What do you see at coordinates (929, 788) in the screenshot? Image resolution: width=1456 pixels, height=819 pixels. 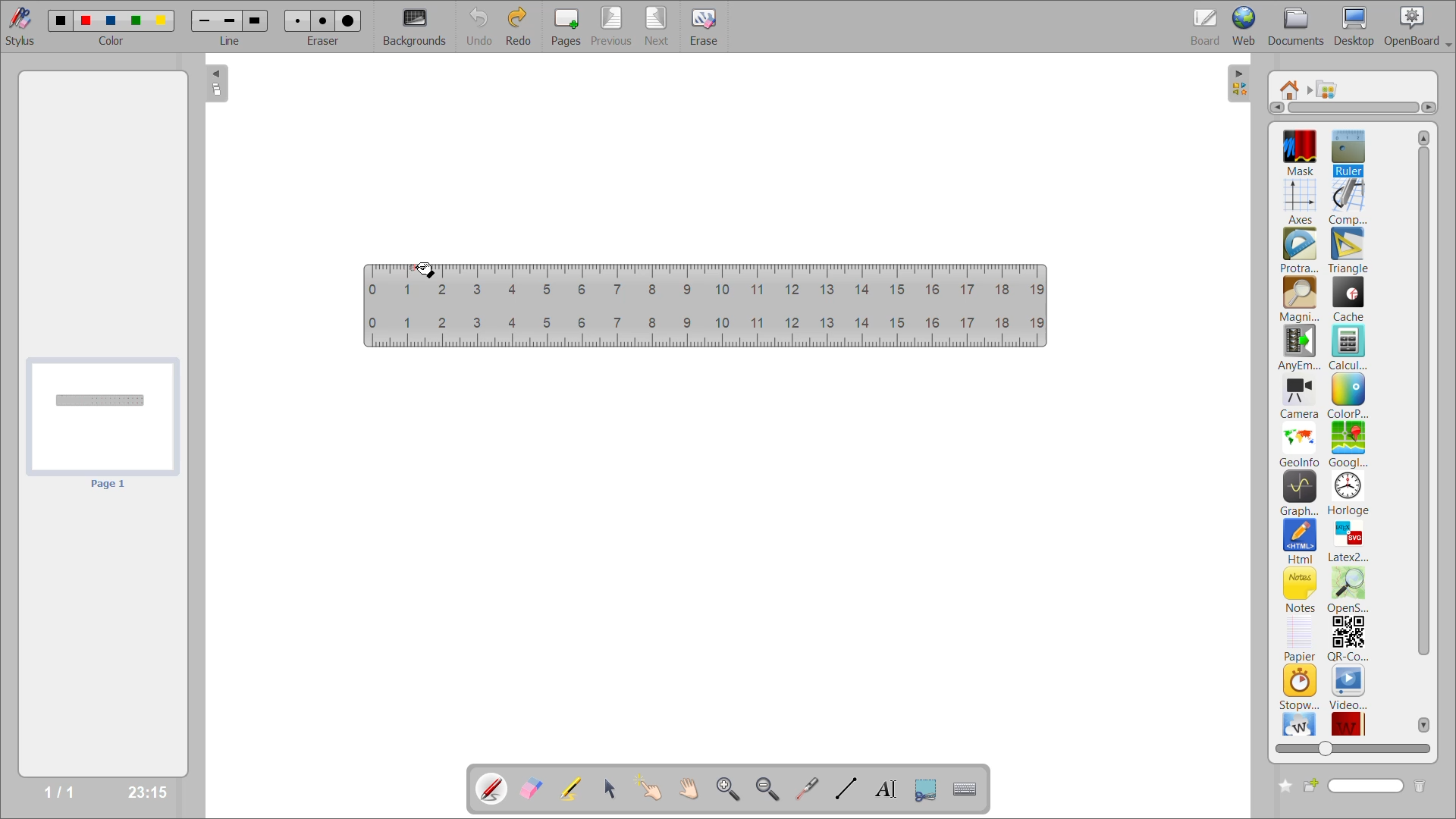 I see `capture part of the screen` at bounding box center [929, 788].